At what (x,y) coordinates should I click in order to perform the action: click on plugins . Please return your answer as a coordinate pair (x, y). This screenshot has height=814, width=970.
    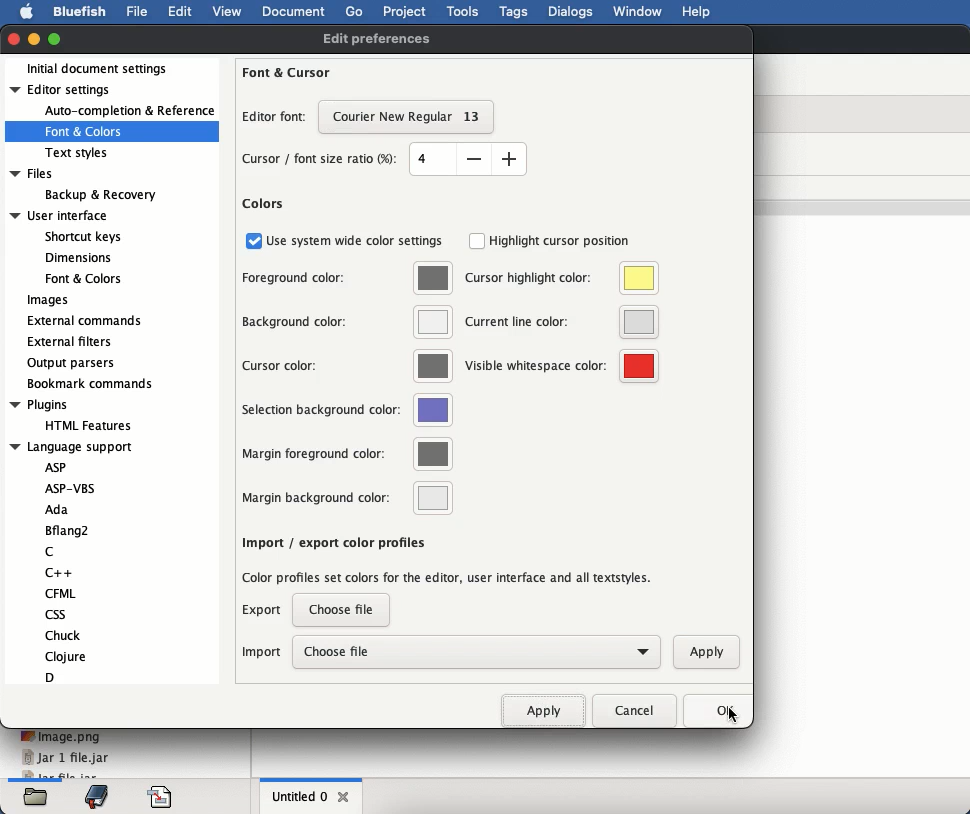
    Looking at the image, I should click on (76, 415).